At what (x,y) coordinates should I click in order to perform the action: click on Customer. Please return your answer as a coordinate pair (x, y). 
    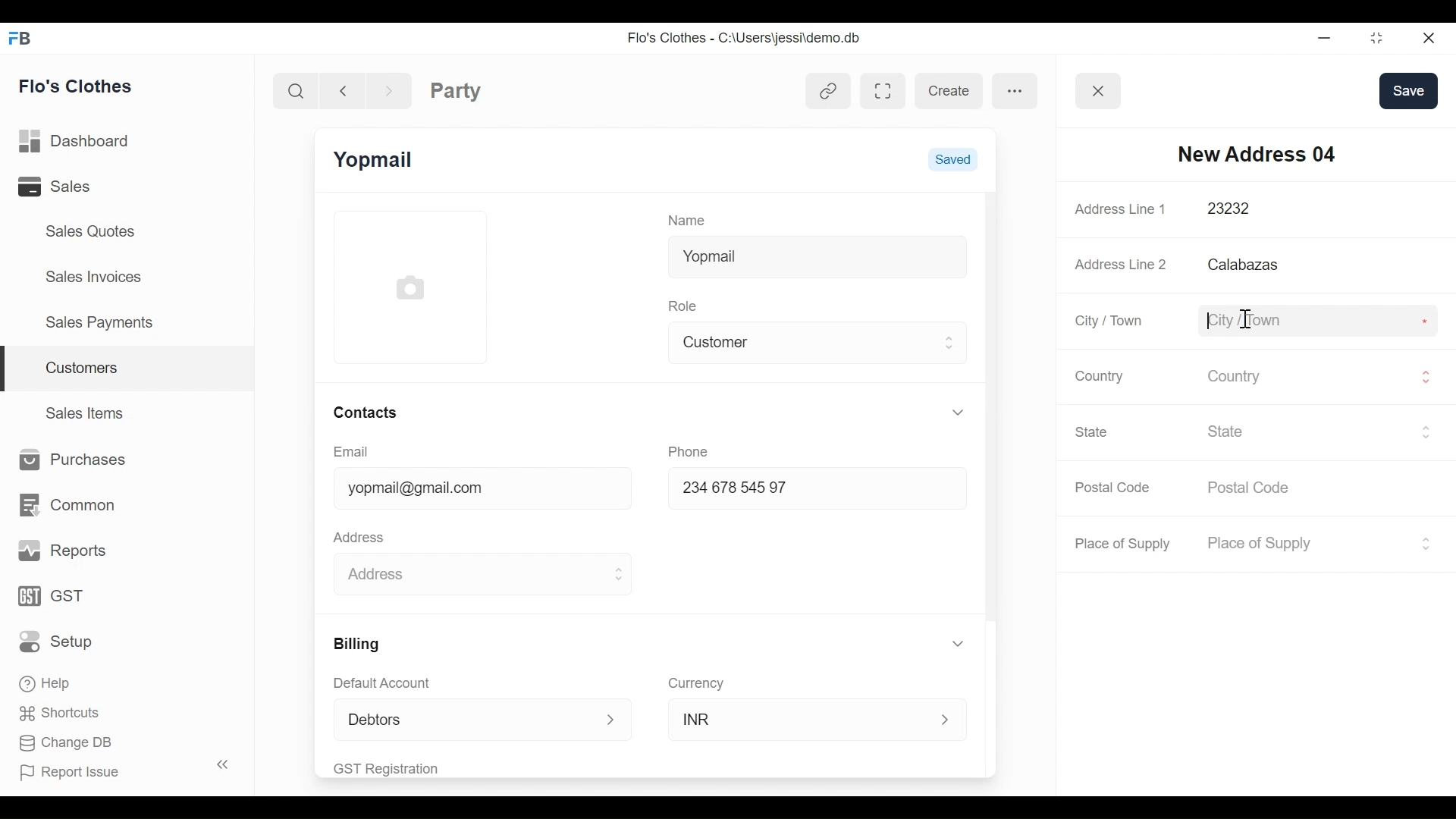
    Looking at the image, I should click on (806, 340).